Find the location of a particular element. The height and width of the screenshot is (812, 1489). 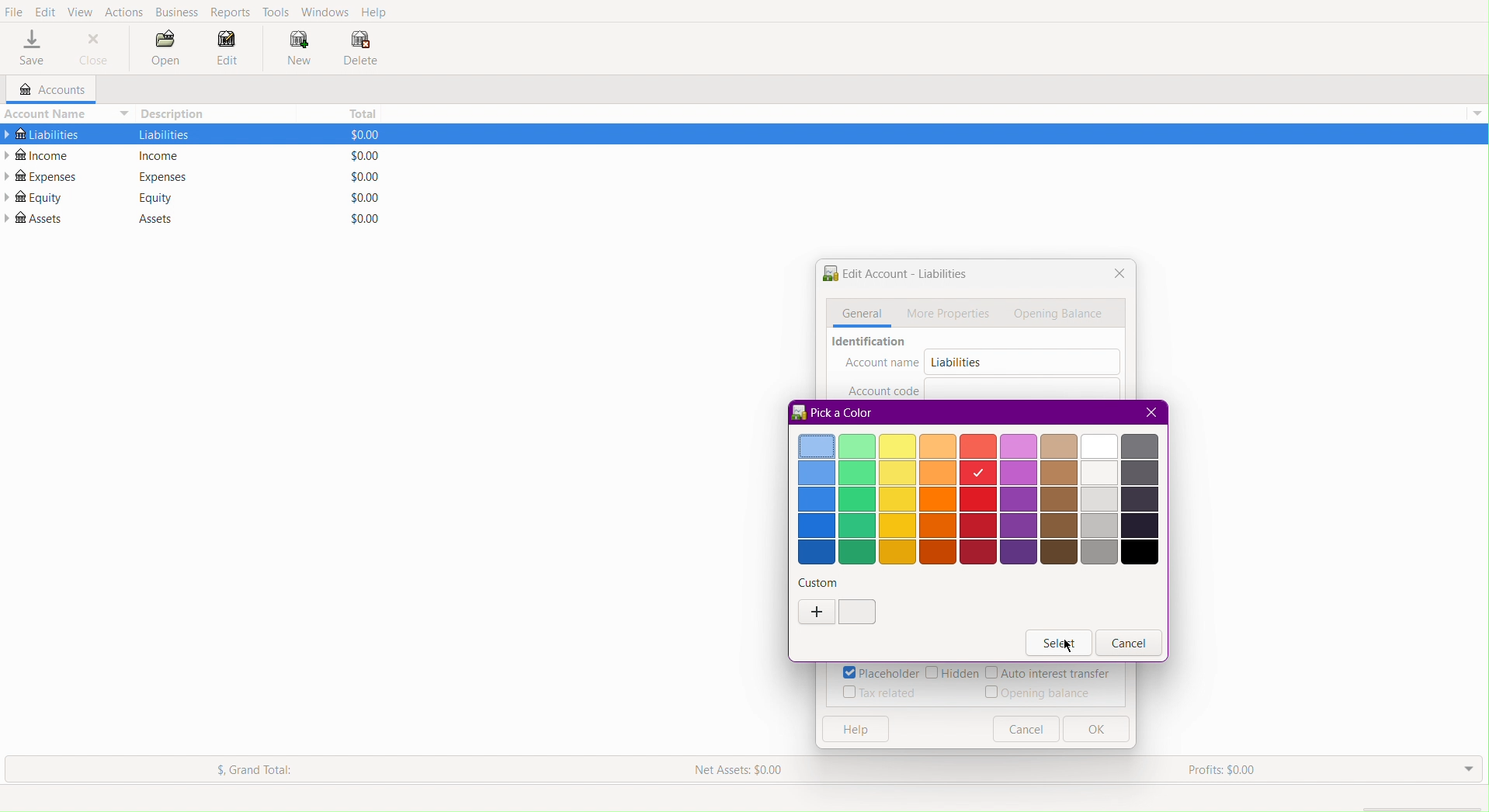

Close is located at coordinates (95, 48).